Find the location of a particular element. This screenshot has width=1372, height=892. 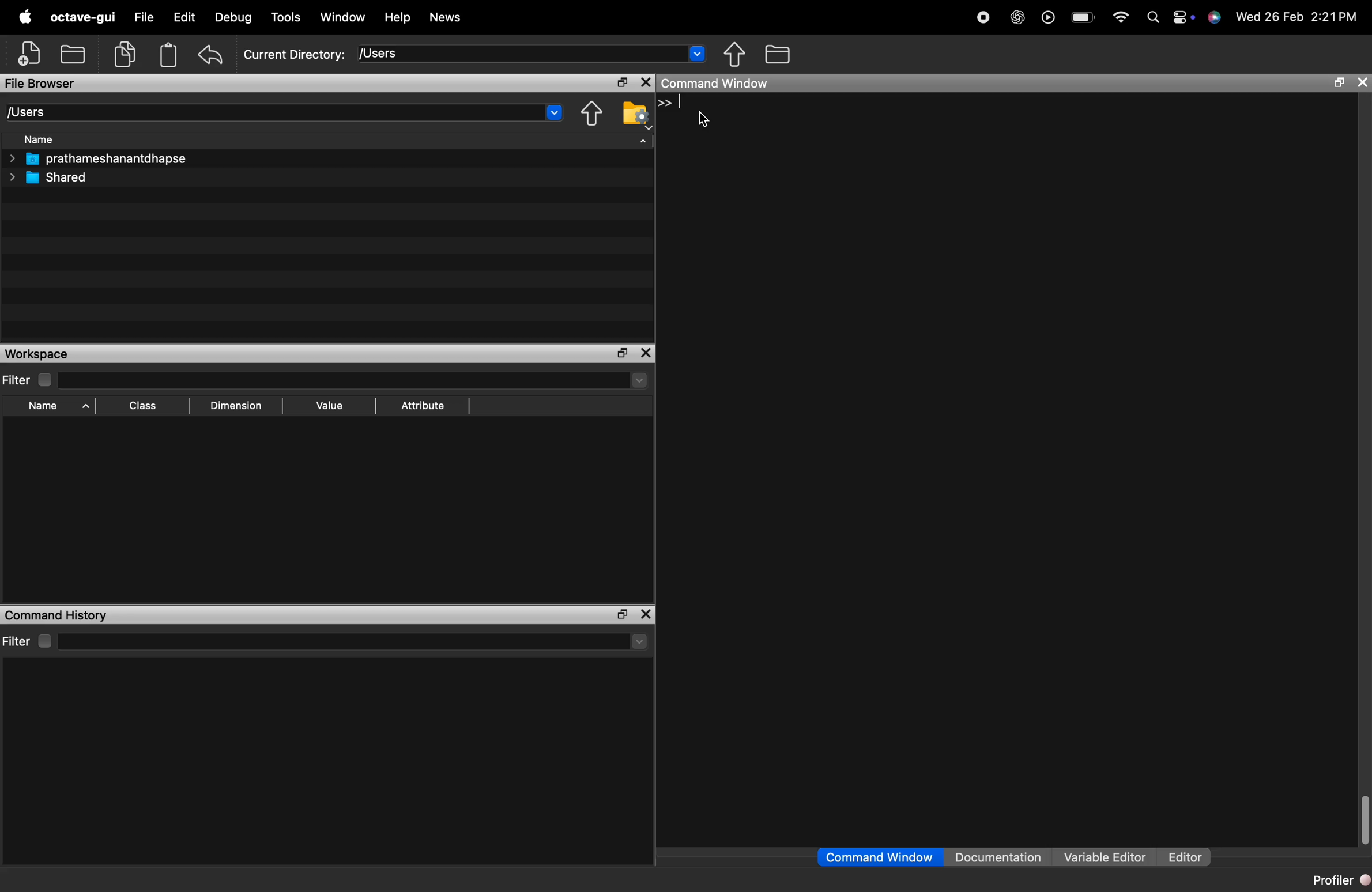

Profiler is located at coordinates (1341, 878).